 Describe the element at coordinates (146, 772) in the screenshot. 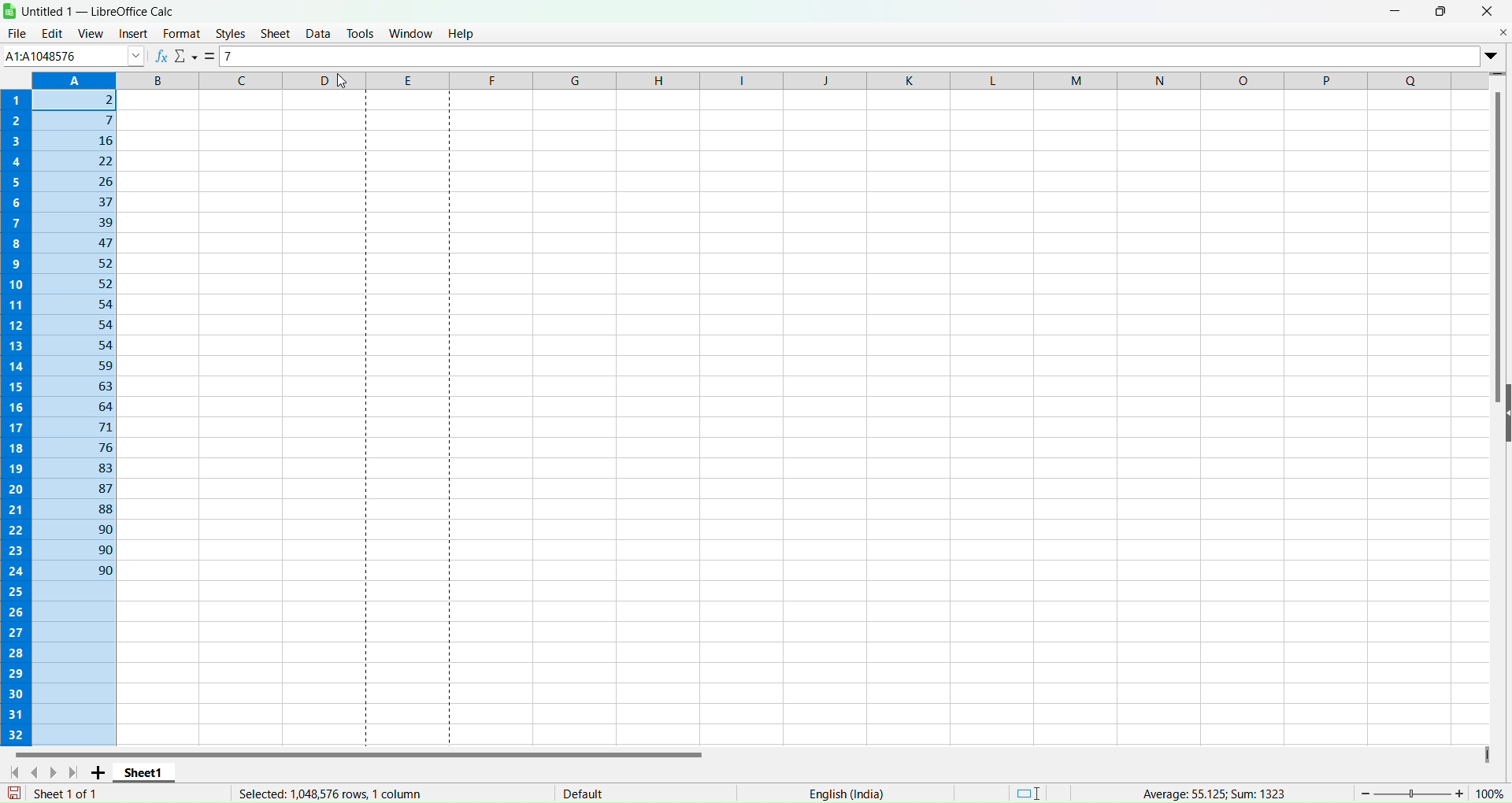

I see `Sheet 1` at that location.